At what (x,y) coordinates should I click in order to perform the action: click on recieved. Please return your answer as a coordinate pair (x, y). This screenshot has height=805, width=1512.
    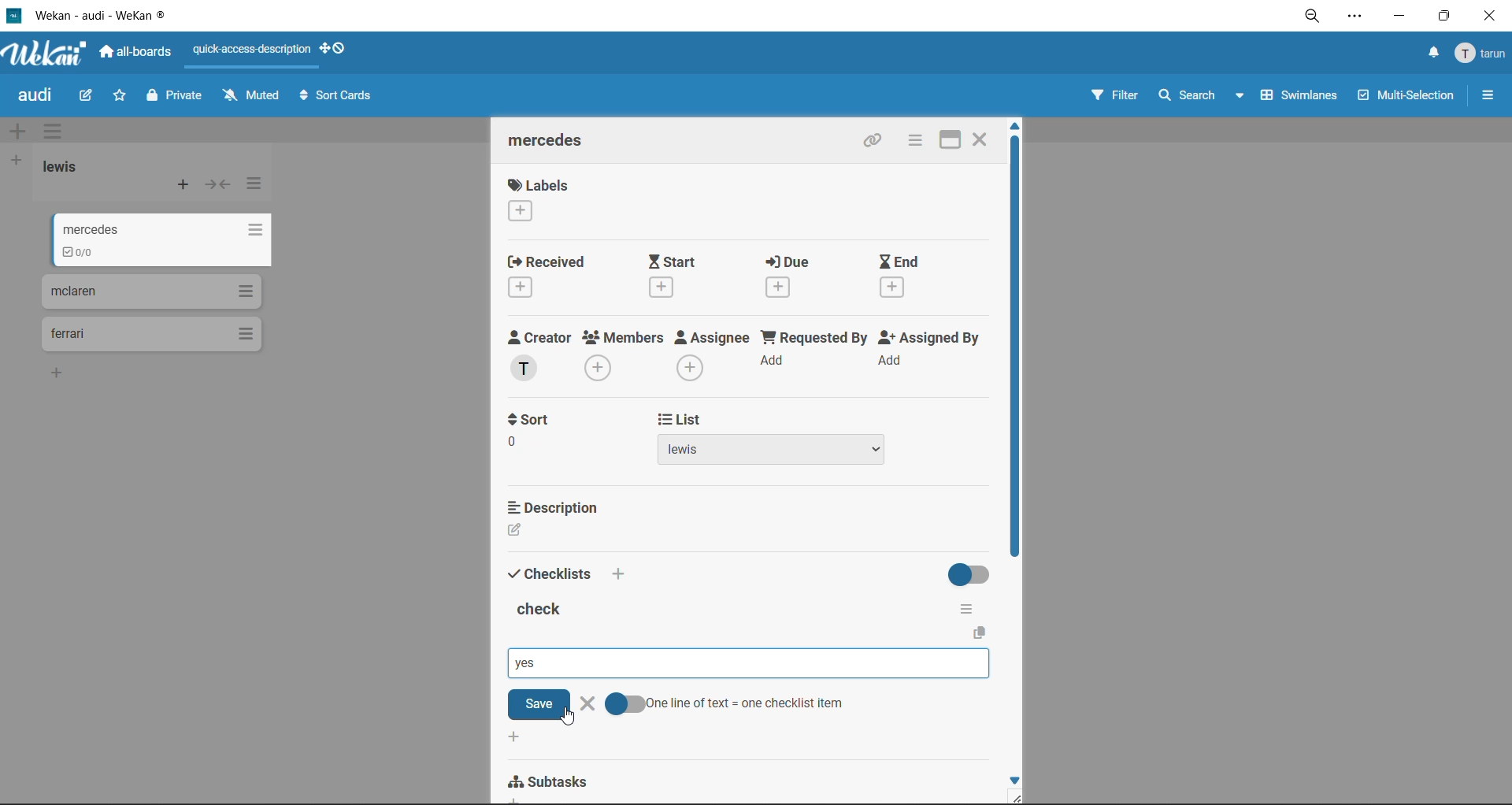
    Looking at the image, I should click on (548, 278).